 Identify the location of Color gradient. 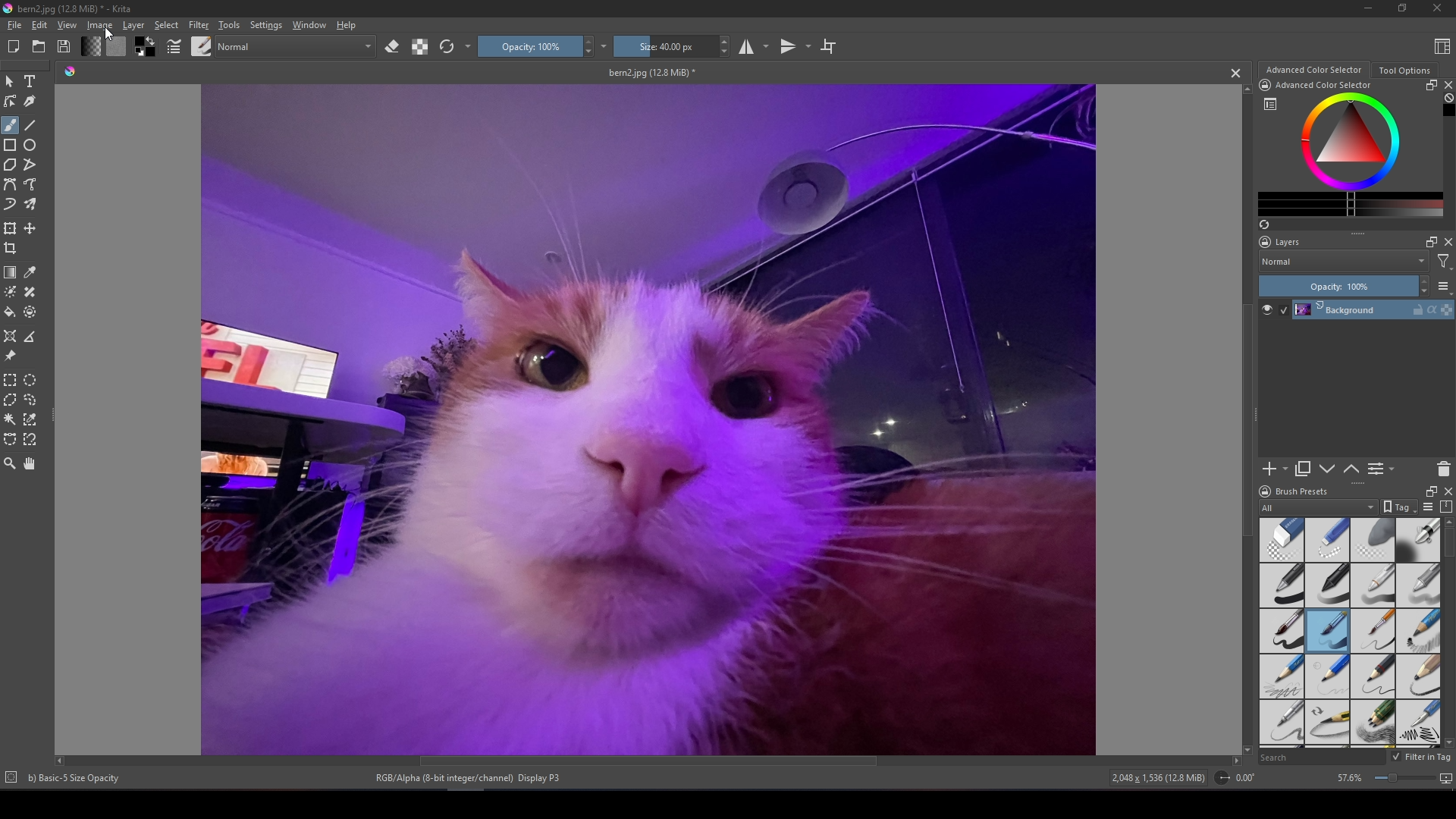
(1352, 203).